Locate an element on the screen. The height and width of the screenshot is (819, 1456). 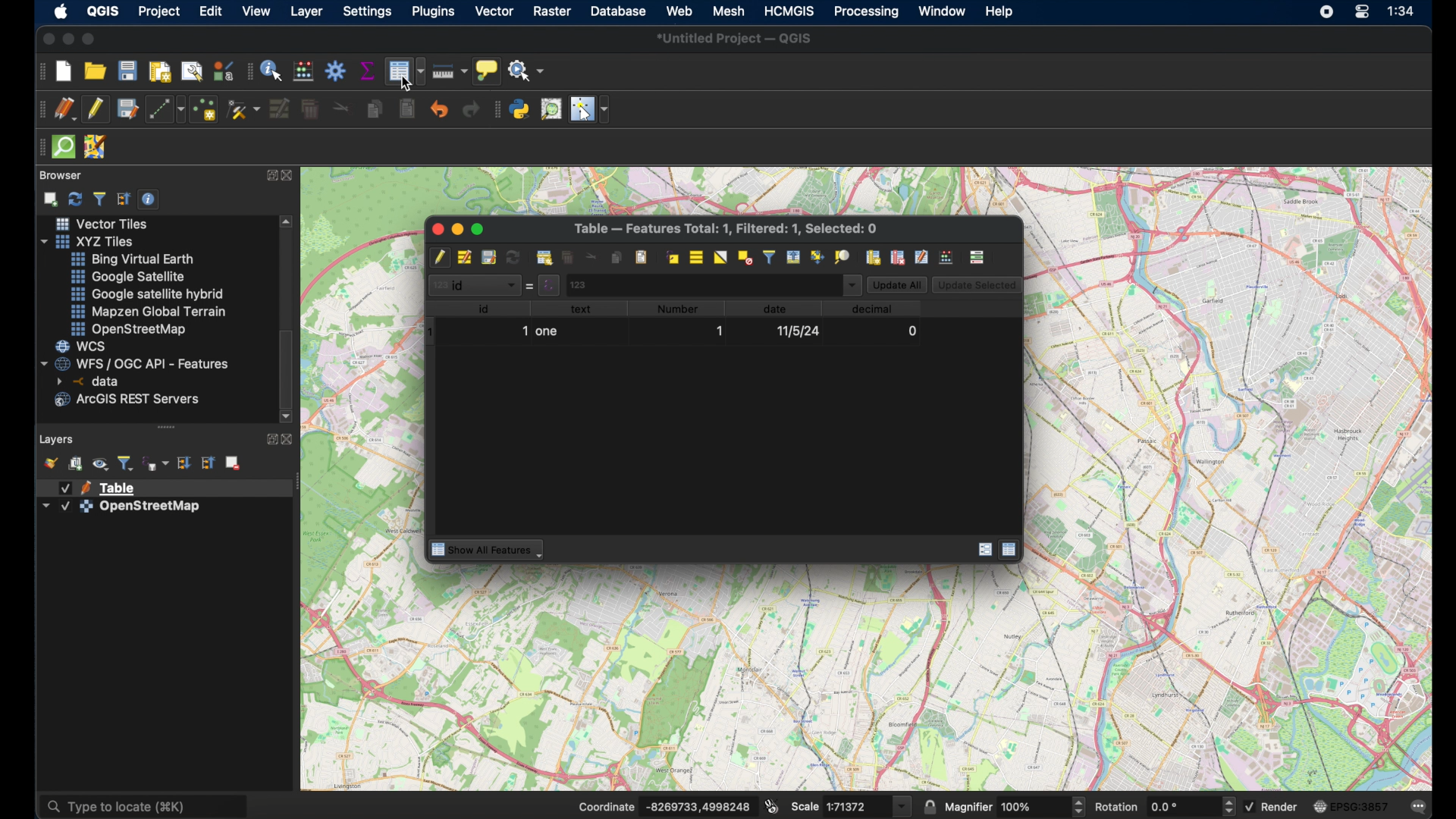
scroll down arrow is located at coordinates (287, 415).